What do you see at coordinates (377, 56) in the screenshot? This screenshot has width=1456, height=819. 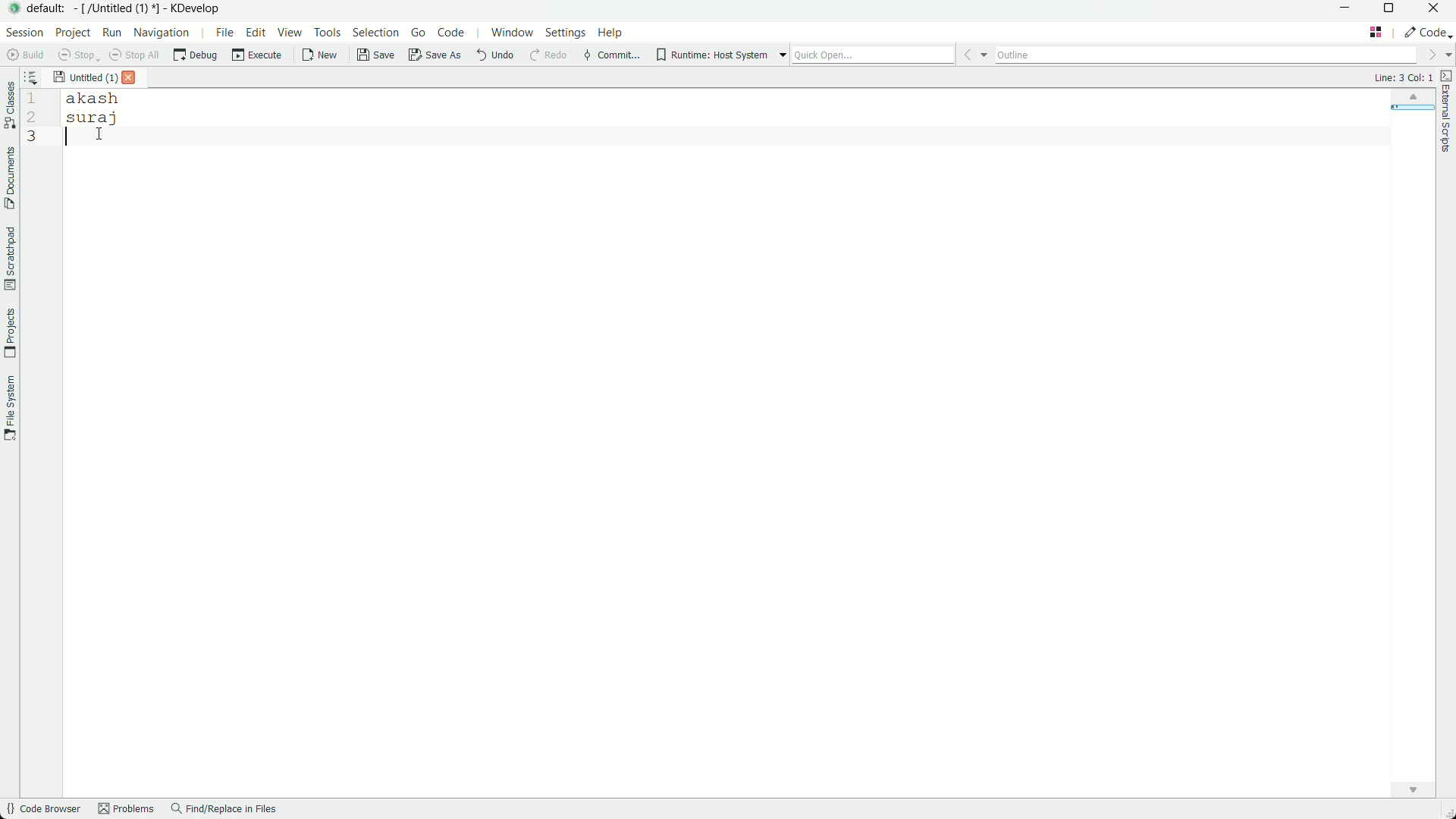 I see `save file` at bounding box center [377, 56].